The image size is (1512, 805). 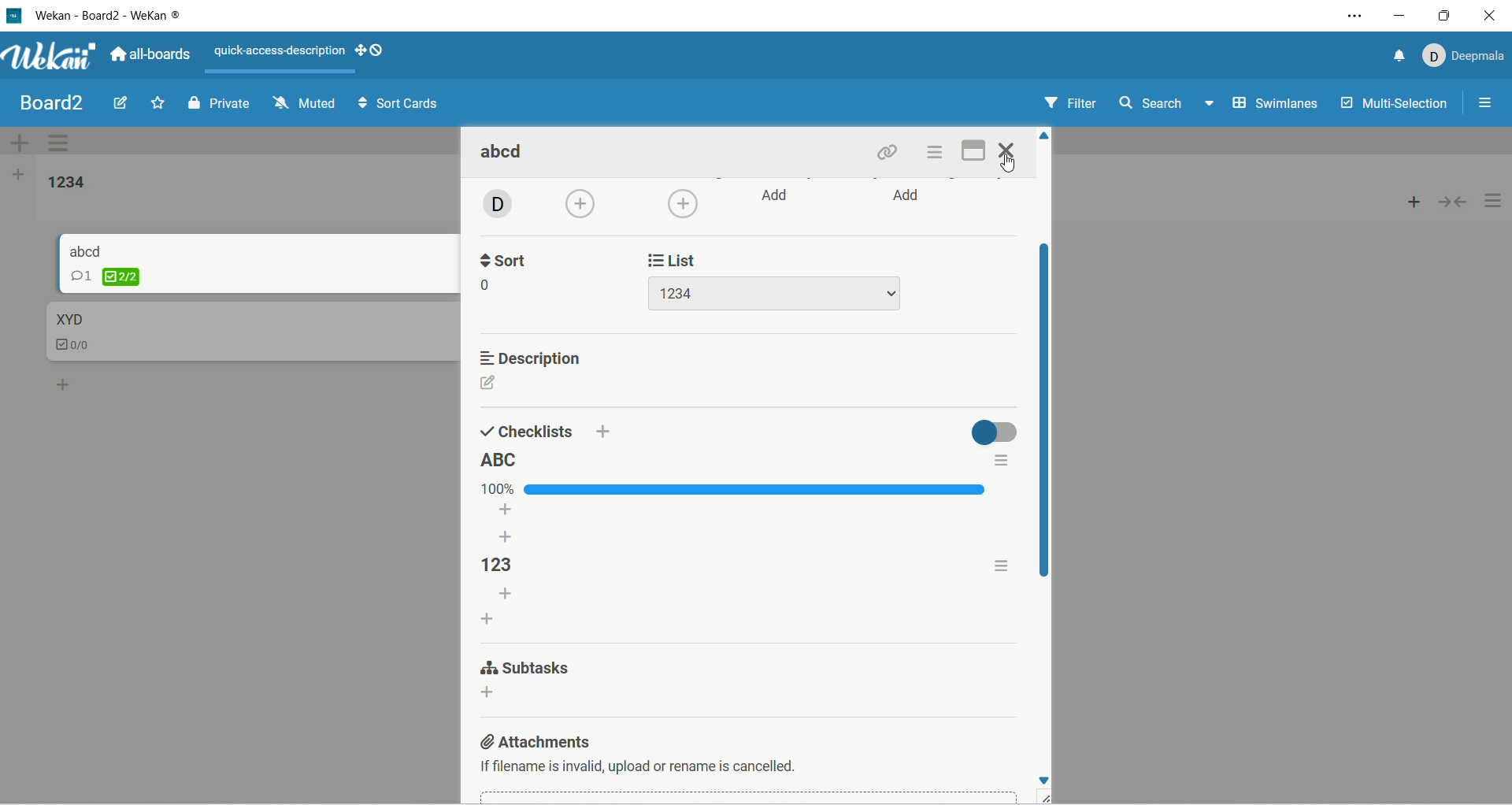 What do you see at coordinates (1008, 150) in the screenshot?
I see `close` at bounding box center [1008, 150].